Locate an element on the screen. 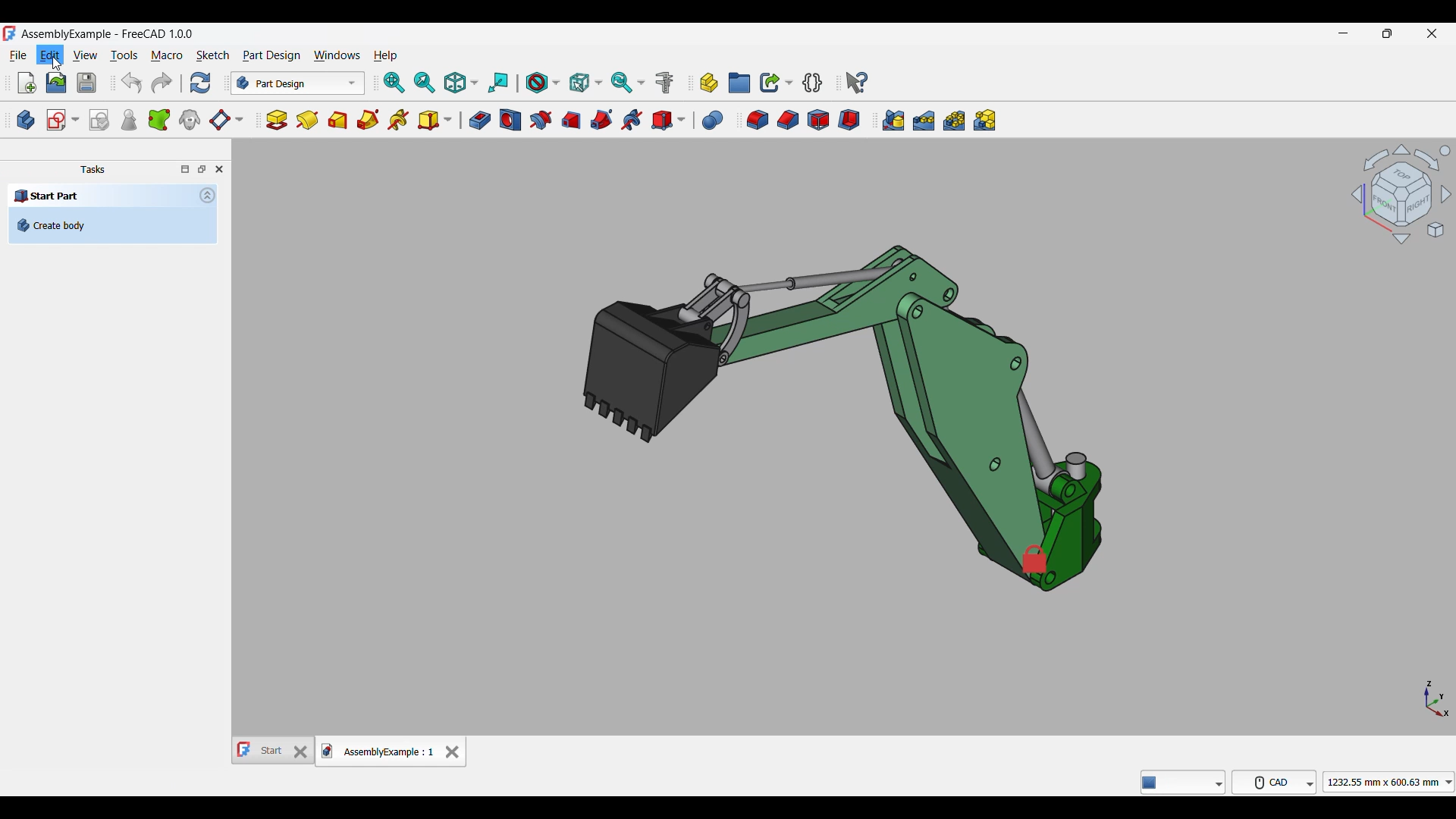 The width and height of the screenshot is (1456, 819). Create a subtractive primitive is located at coordinates (669, 121).